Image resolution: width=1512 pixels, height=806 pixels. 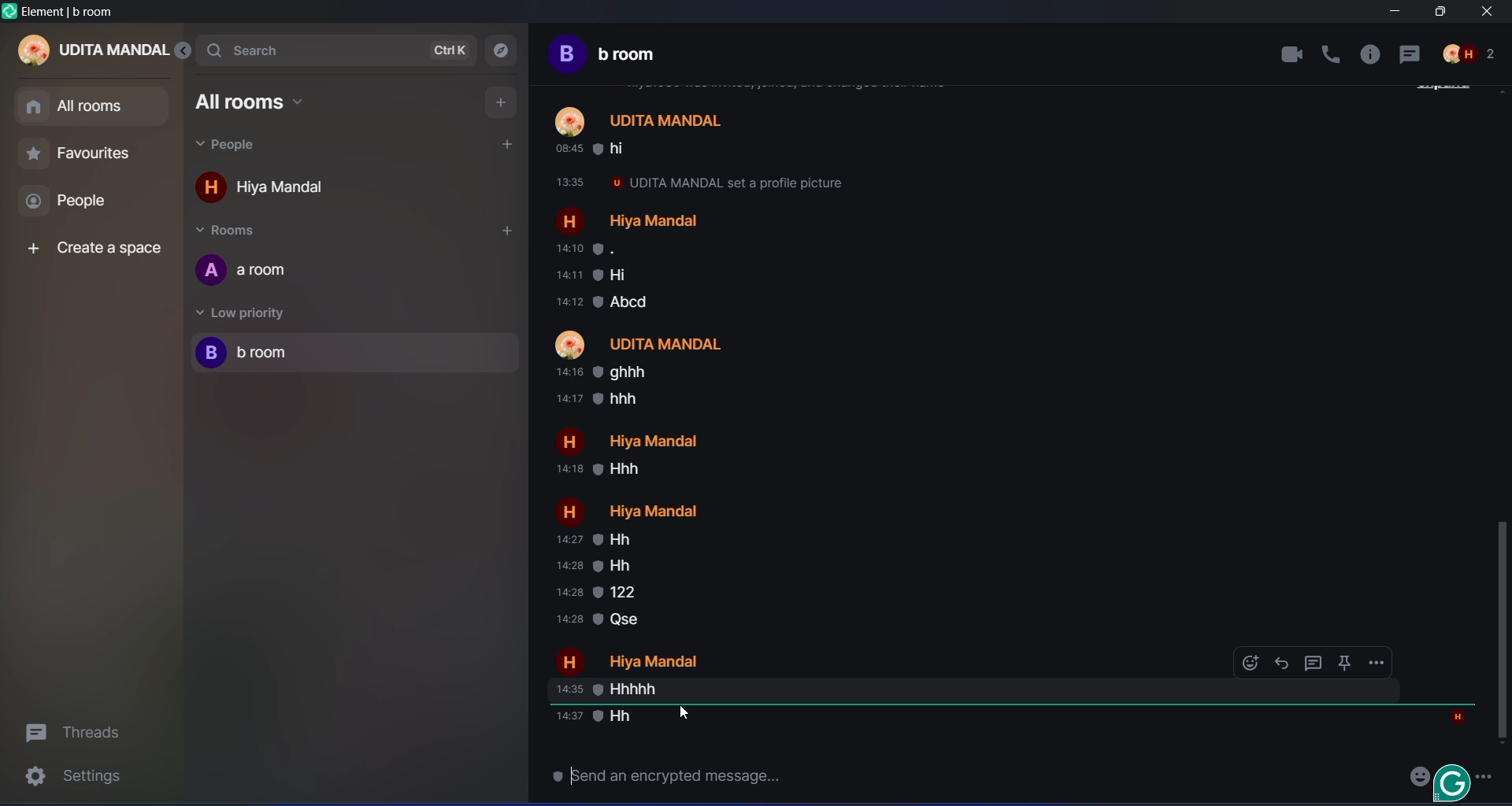 What do you see at coordinates (1315, 663) in the screenshot?
I see `thread` at bounding box center [1315, 663].